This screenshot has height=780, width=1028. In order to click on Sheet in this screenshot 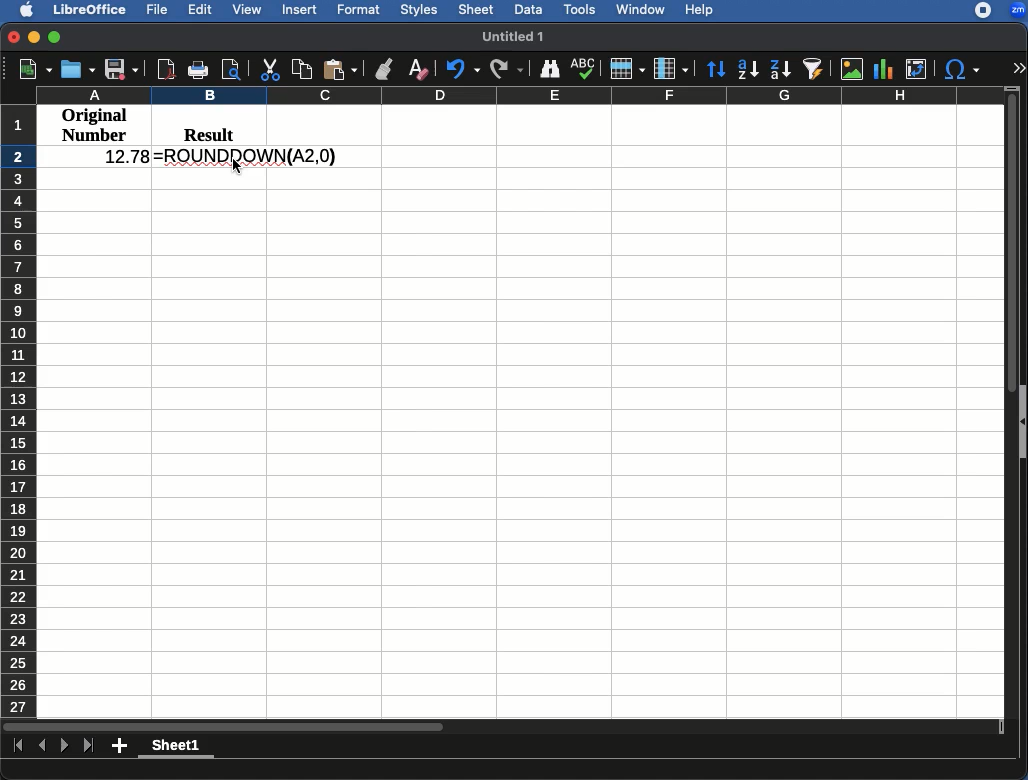, I will do `click(478, 11)`.